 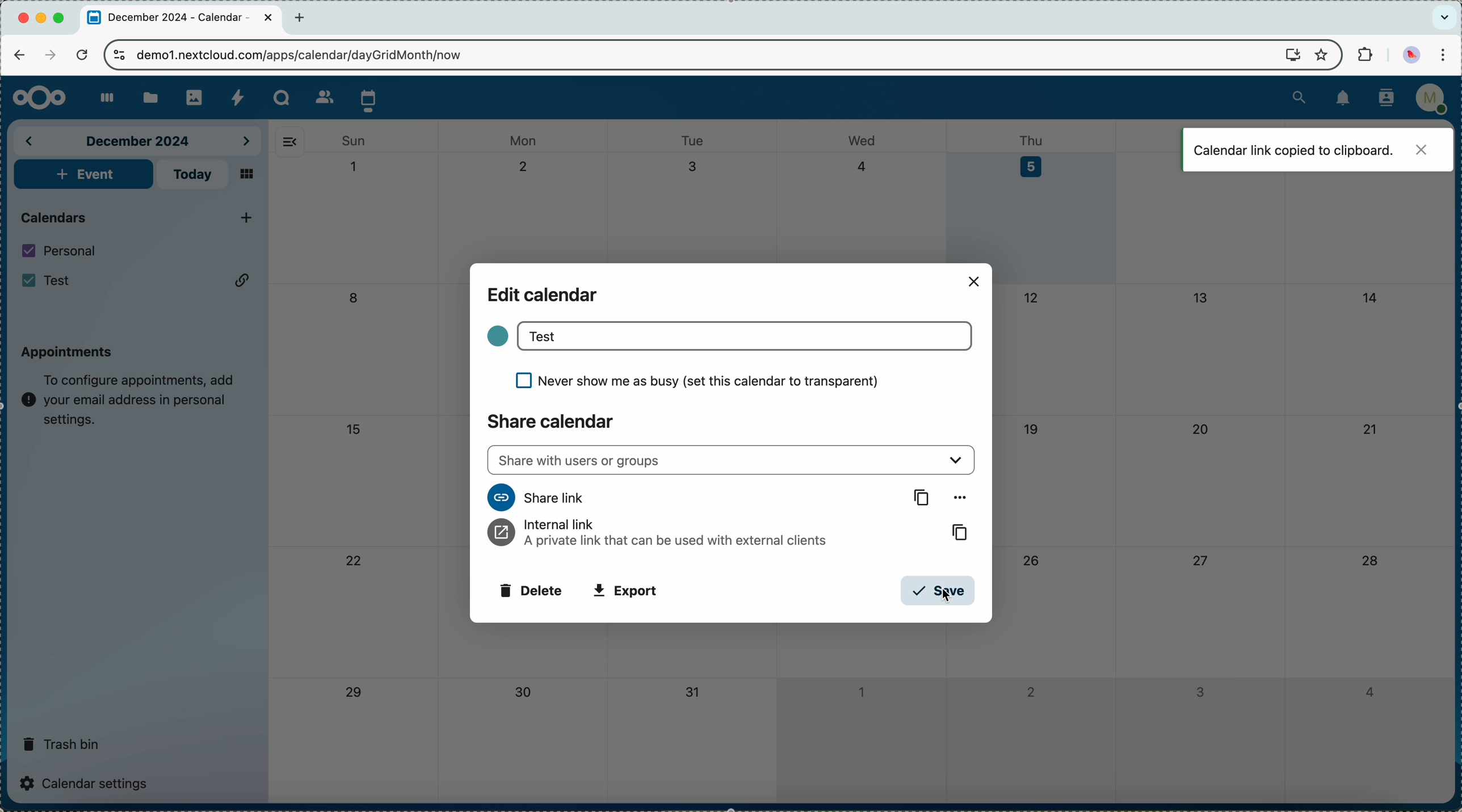 I want to click on 30, so click(x=527, y=694).